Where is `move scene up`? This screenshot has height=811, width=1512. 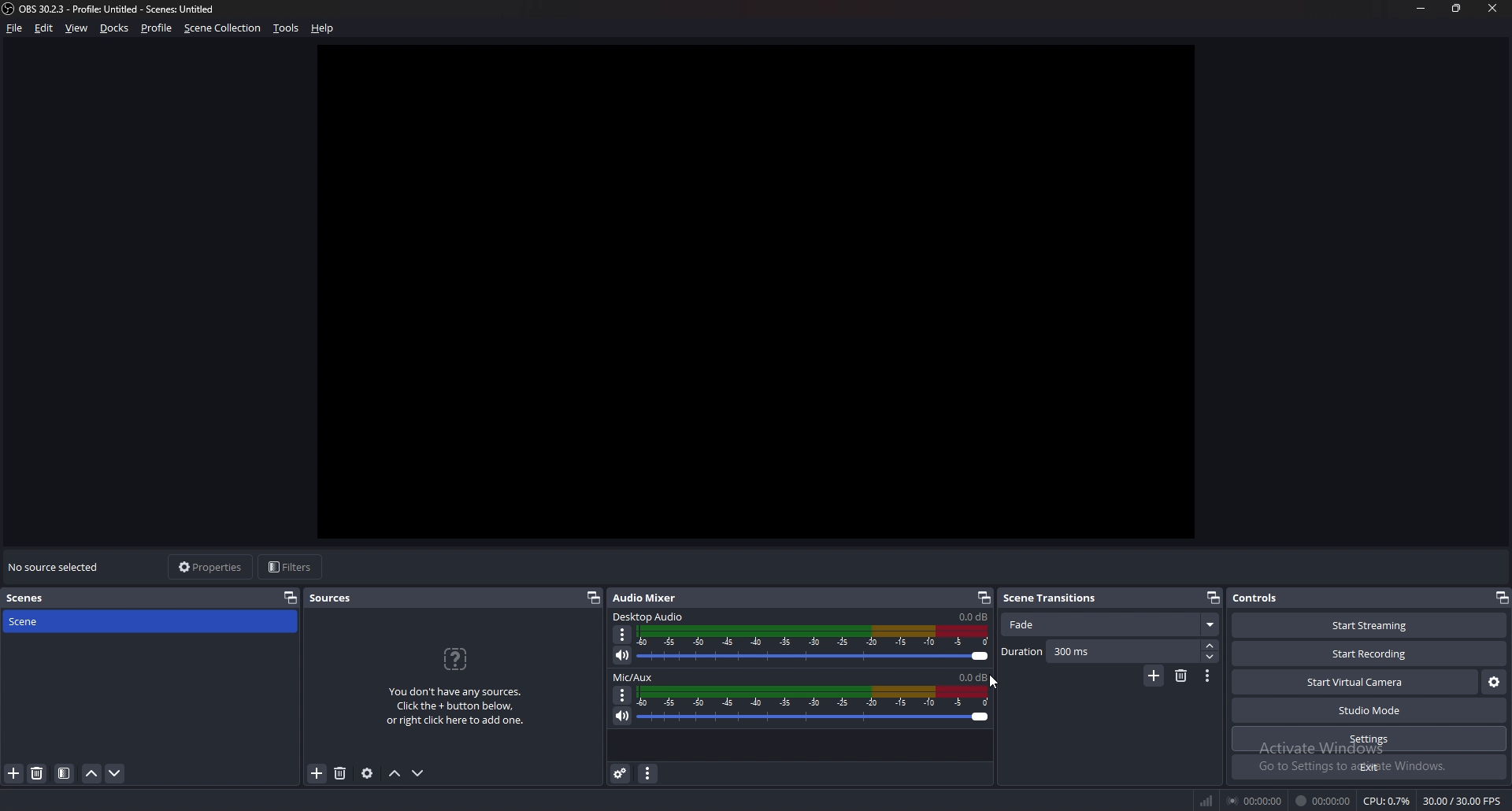 move scene up is located at coordinates (94, 775).